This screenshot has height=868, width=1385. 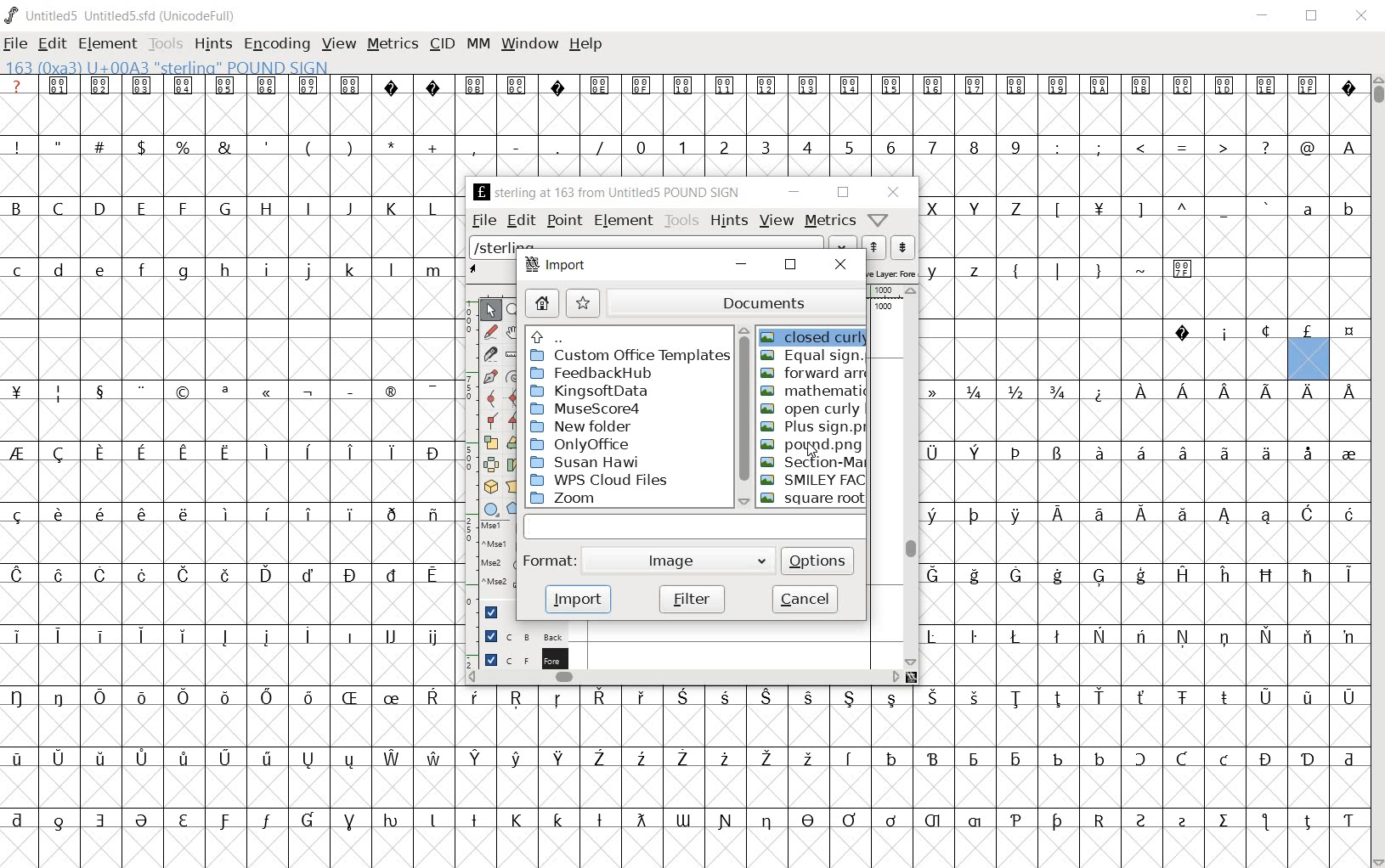 I want to click on Symbol, so click(x=1307, y=453).